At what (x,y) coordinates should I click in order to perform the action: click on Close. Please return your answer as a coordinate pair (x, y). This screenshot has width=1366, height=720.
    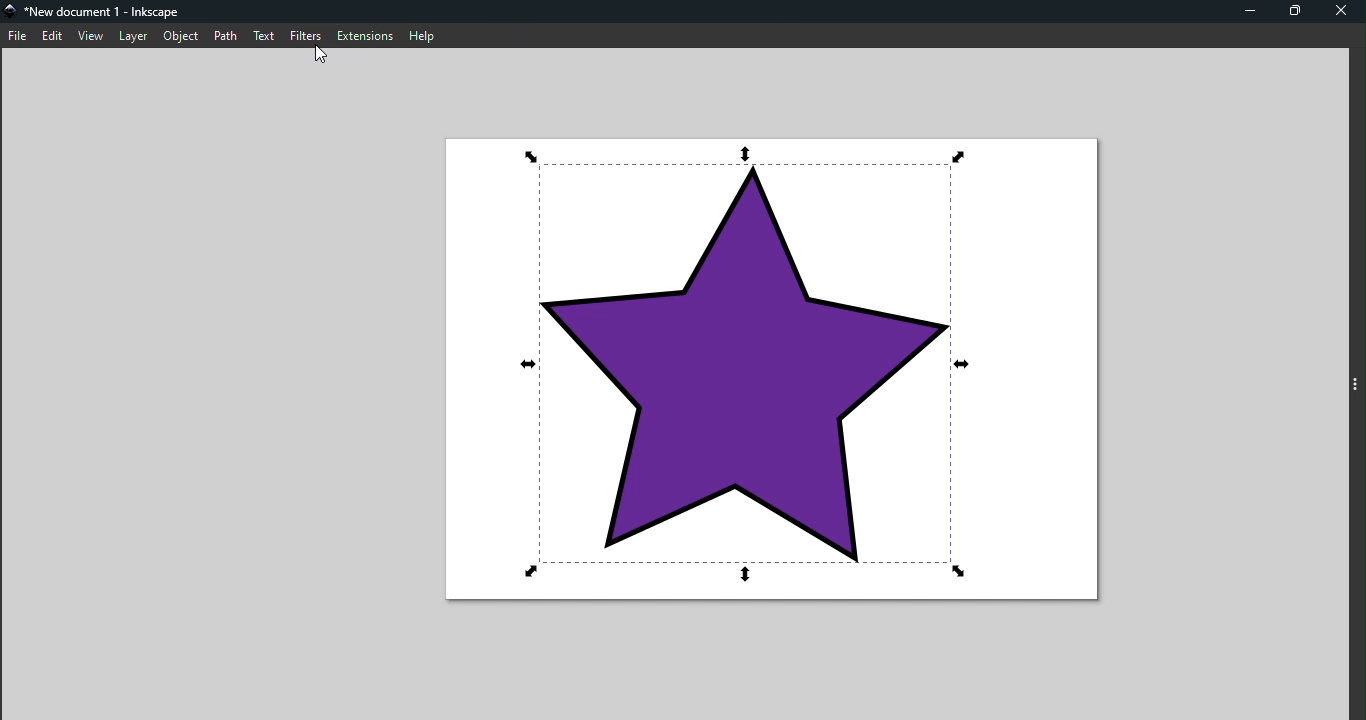
    Looking at the image, I should click on (1340, 11).